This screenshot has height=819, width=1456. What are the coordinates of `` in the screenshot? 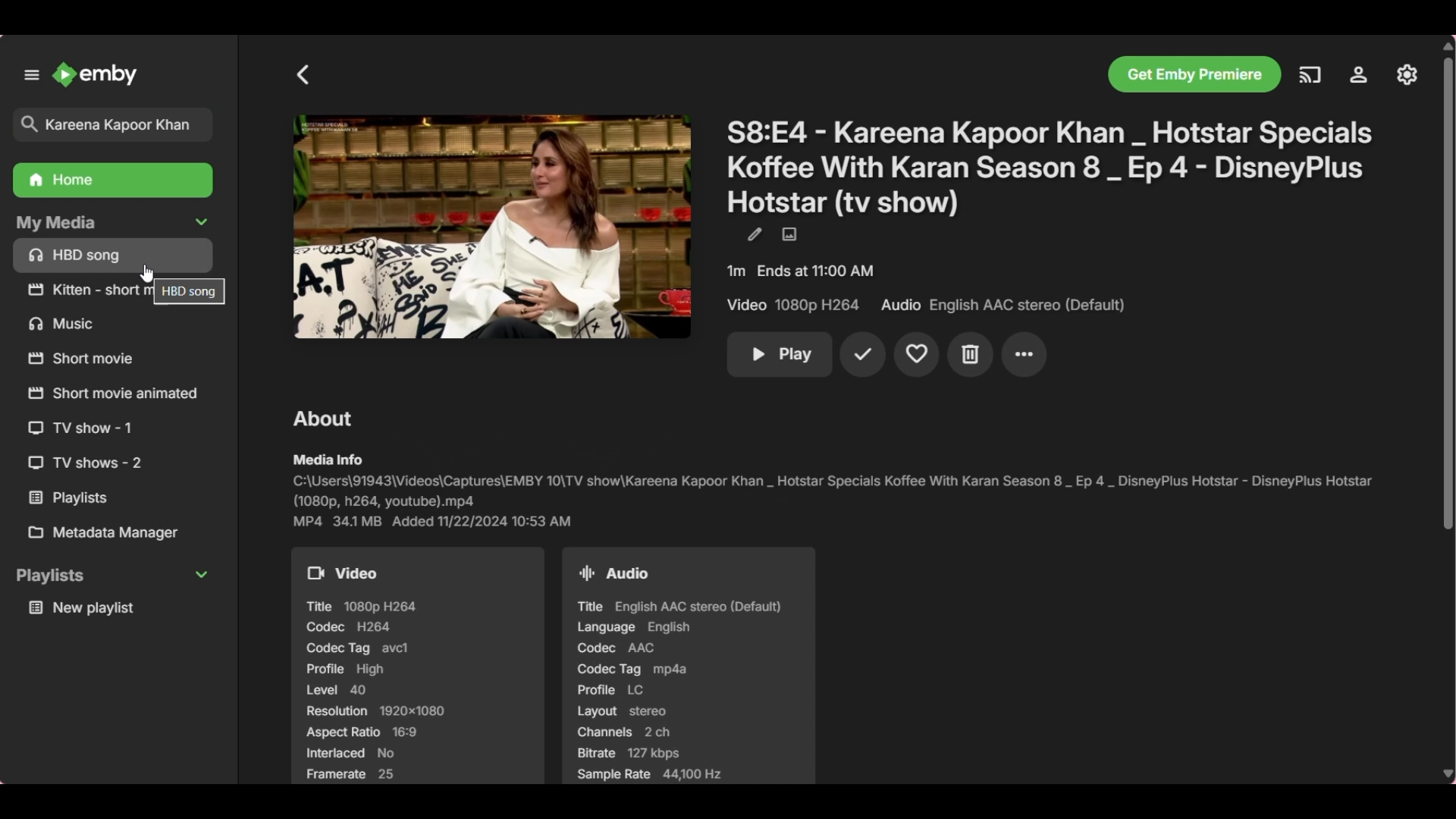 It's located at (85, 290).